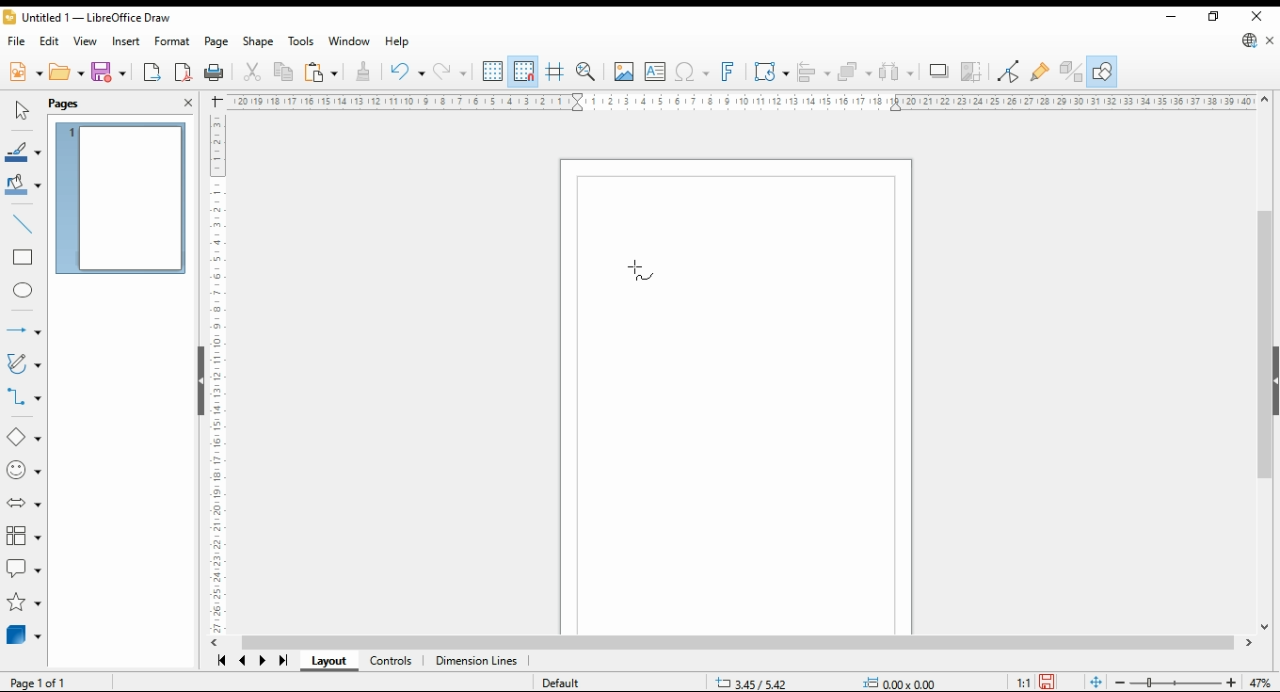 The width and height of the screenshot is (1280, 692). What do you see at coordinates (21, 223) in the screenshot?
I see `insert line` at bounding box center [21, 223].